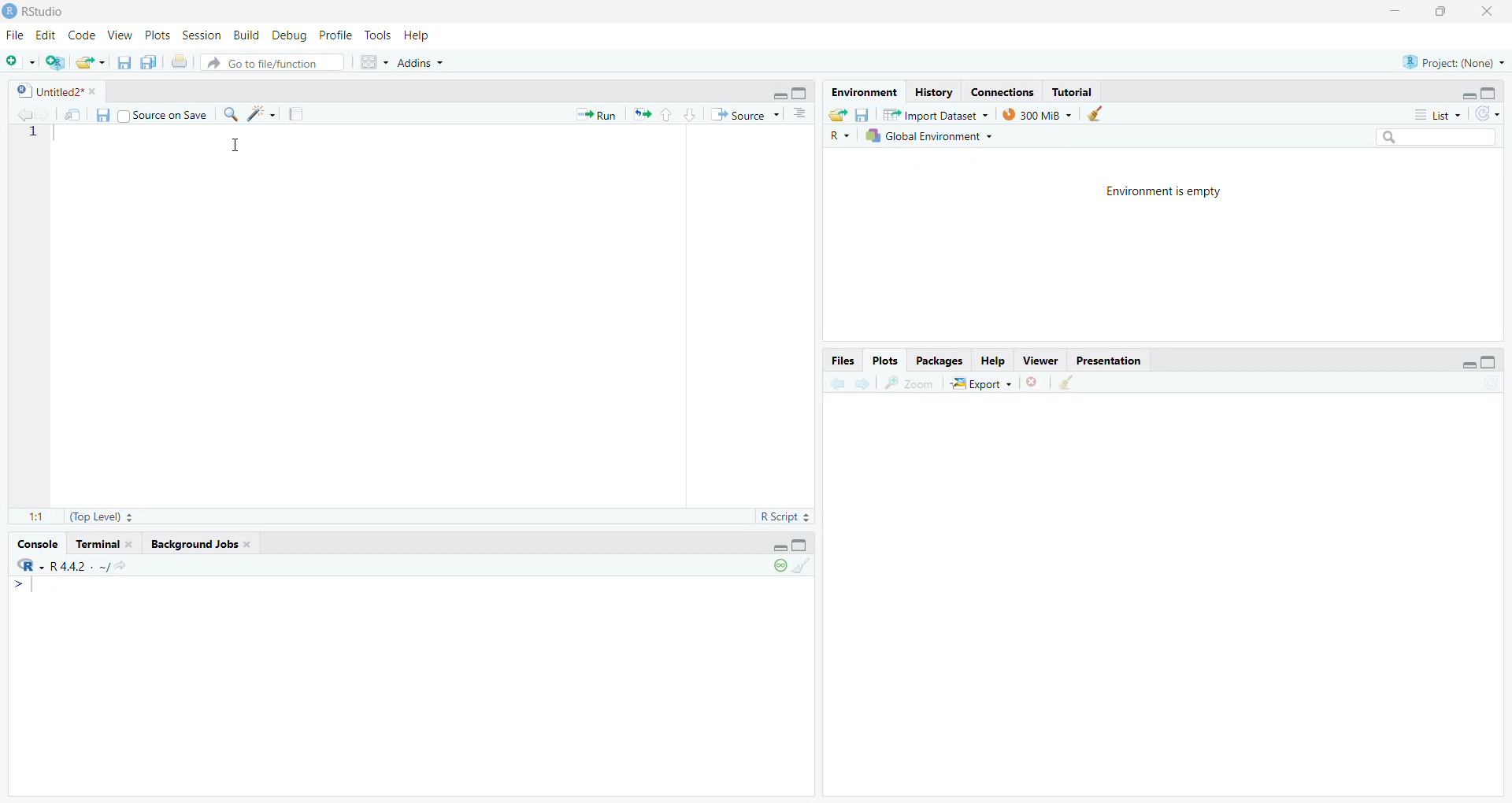  I want to click on  Viewer, so click(1042, 361).